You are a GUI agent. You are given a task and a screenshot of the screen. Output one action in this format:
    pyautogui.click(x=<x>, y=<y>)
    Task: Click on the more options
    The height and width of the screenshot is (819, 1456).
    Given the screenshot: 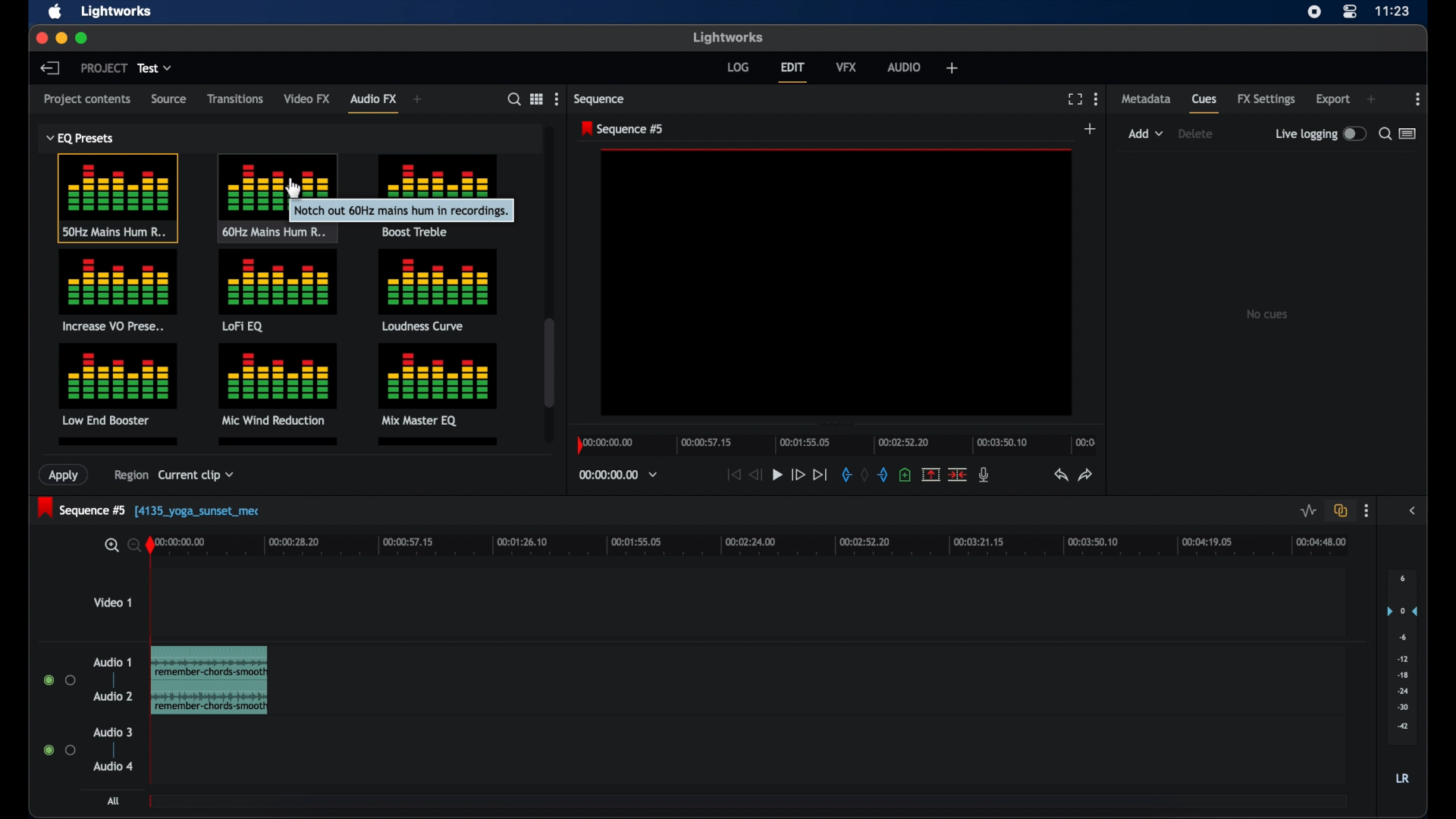 What is the action you would take?
    pyautogui.click(x=1418, y=99)
    